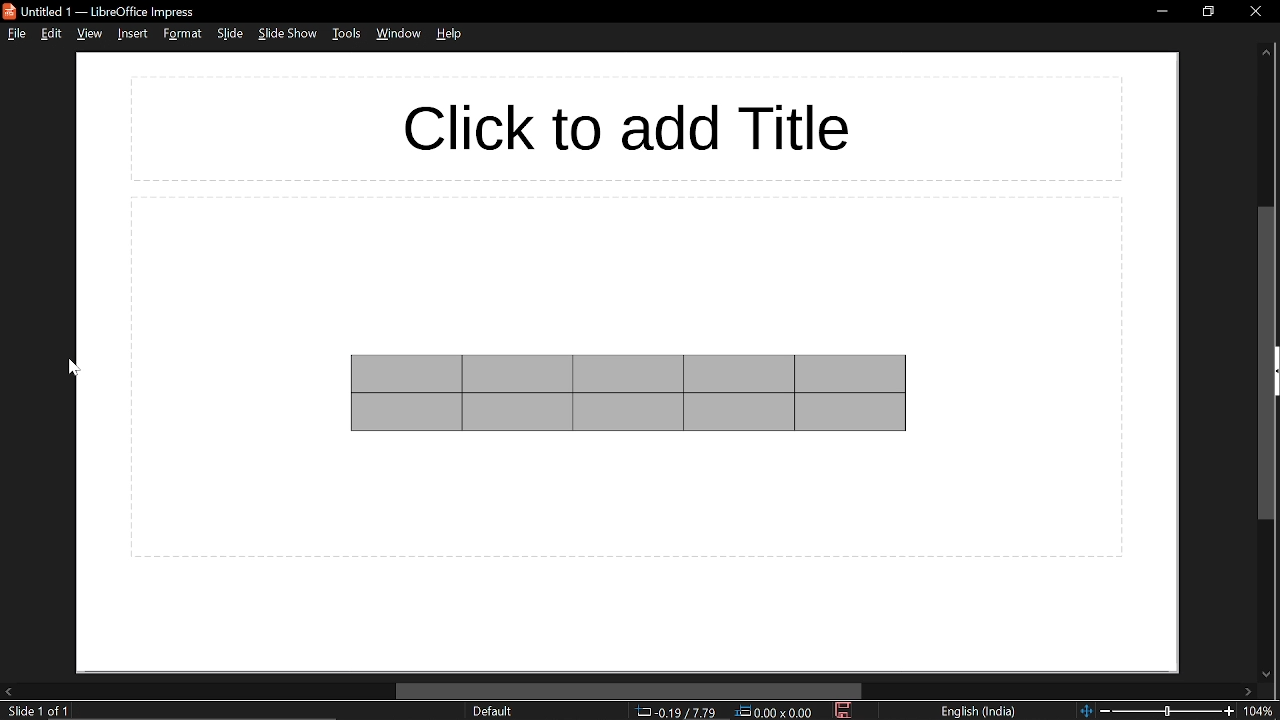  What do you see at coordinates (1261, 363) in the screenshot?
I see `vertical scrollbar` at bounding box center [1261, 363].